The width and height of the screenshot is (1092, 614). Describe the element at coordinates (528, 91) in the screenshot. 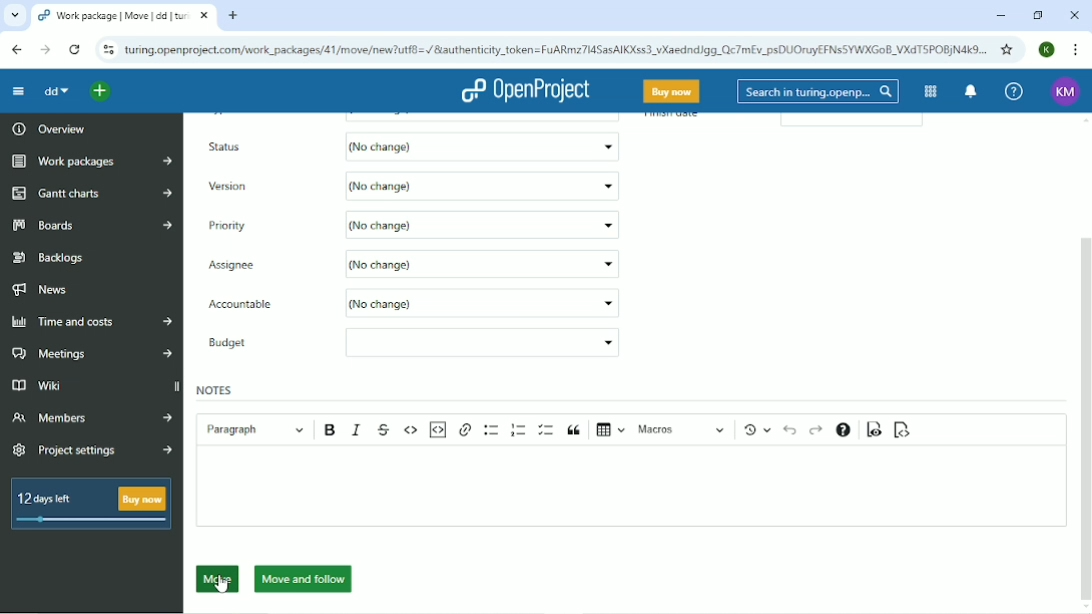

I see `OpenProject` at that location.